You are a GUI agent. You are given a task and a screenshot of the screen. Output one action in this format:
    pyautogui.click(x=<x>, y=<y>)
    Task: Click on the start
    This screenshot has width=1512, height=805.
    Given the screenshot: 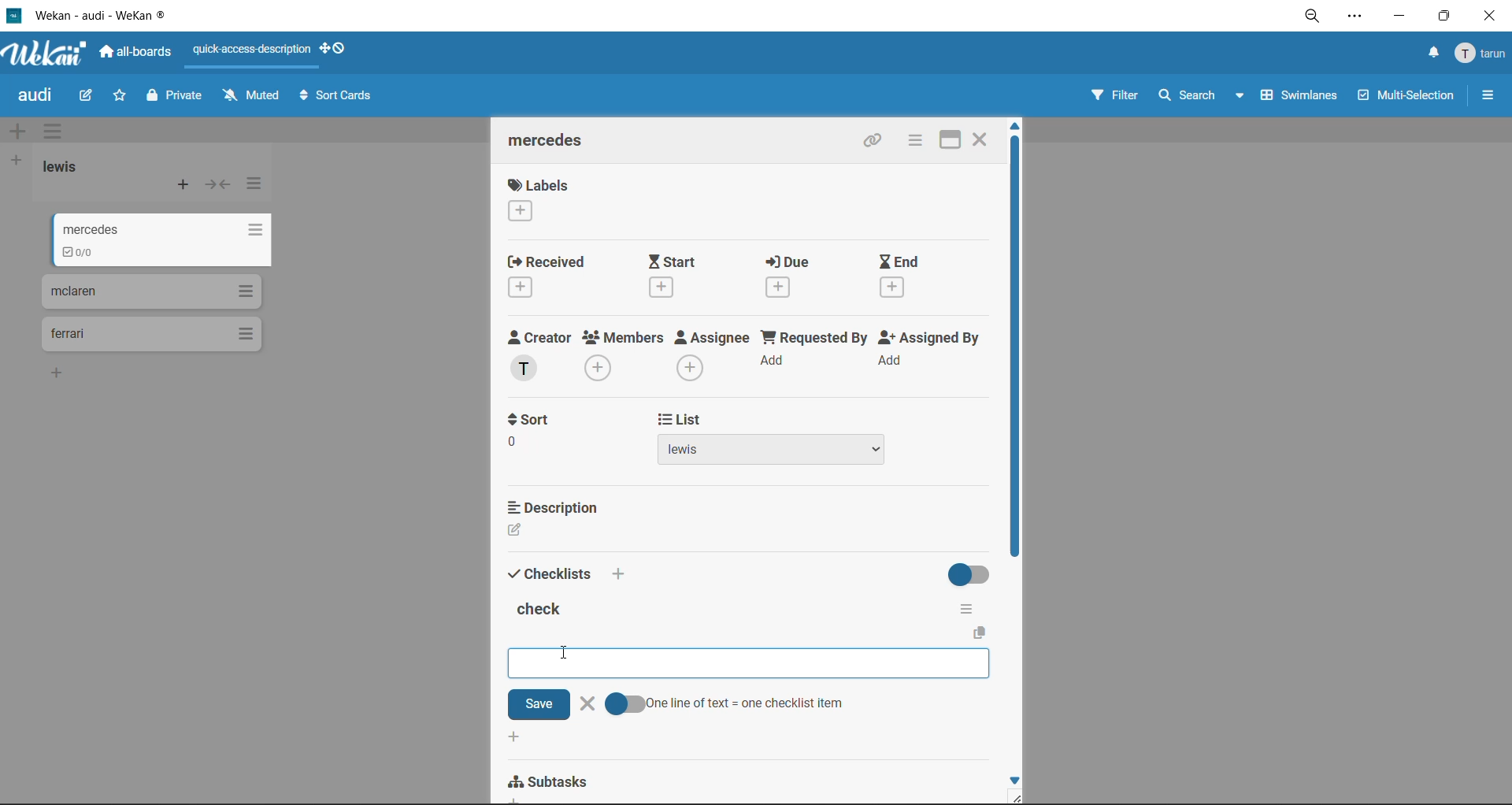 What is the action you would take?
    pyautogui.click(x=684, y=276)
    